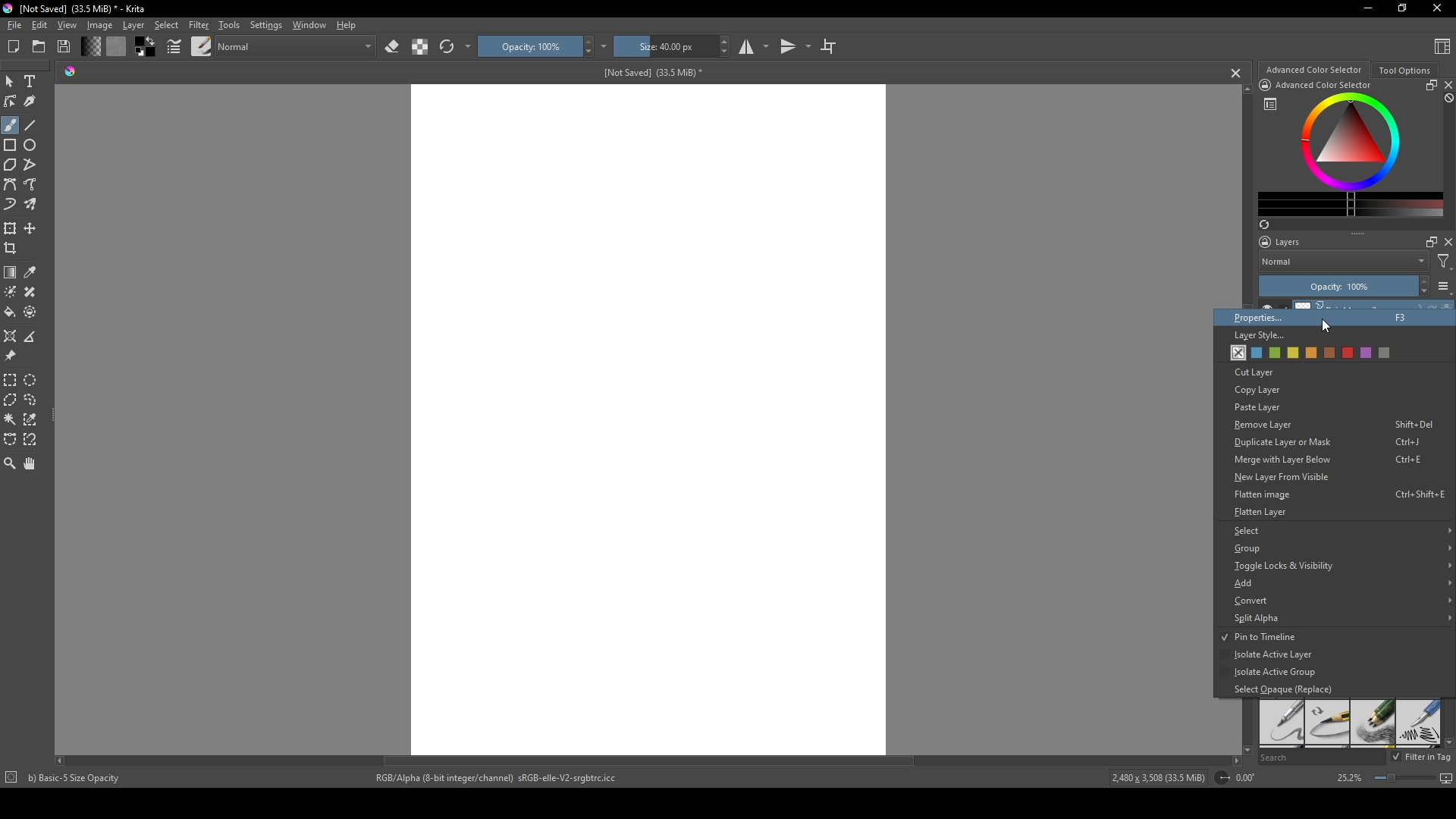 The height and width of the screenshot is (819, 1456). Describe the element at coordinates (1313, 70) in the screenshot. I see `Advanced color selector` at that location.